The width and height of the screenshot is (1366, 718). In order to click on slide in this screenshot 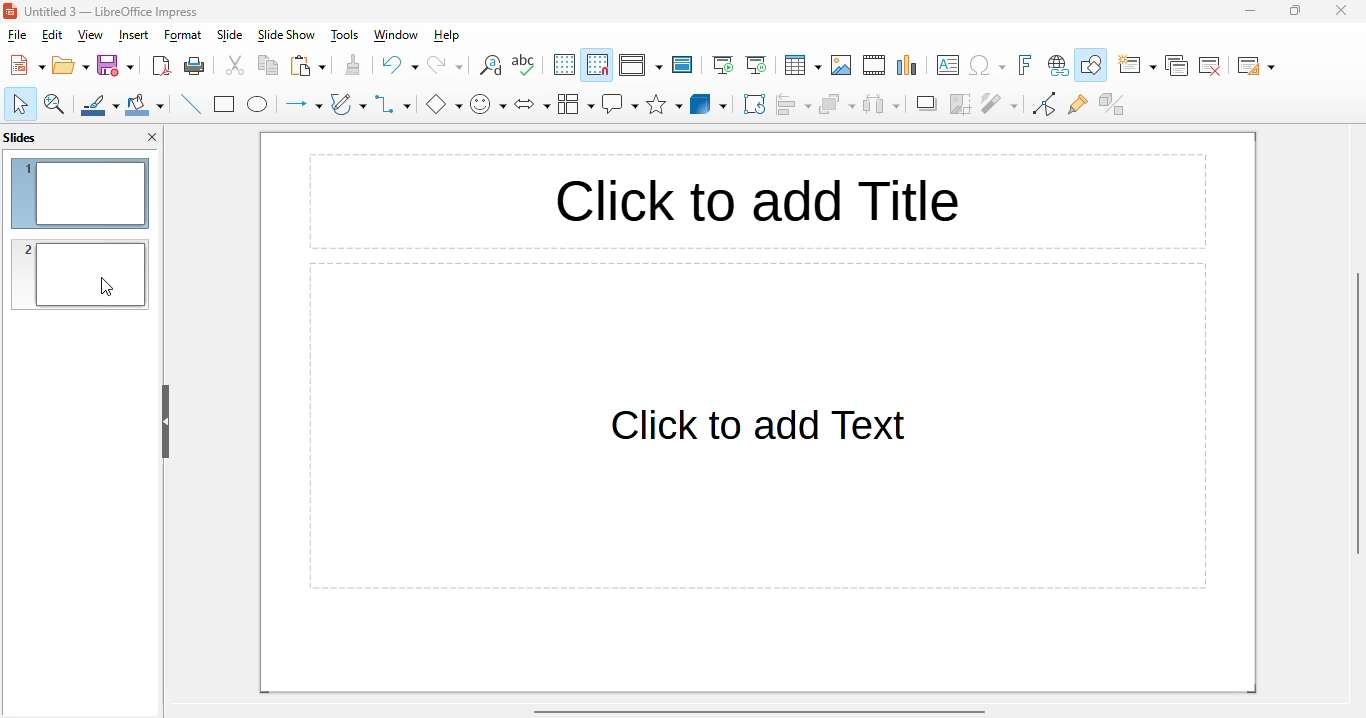, I will do `click(230, 36)`.